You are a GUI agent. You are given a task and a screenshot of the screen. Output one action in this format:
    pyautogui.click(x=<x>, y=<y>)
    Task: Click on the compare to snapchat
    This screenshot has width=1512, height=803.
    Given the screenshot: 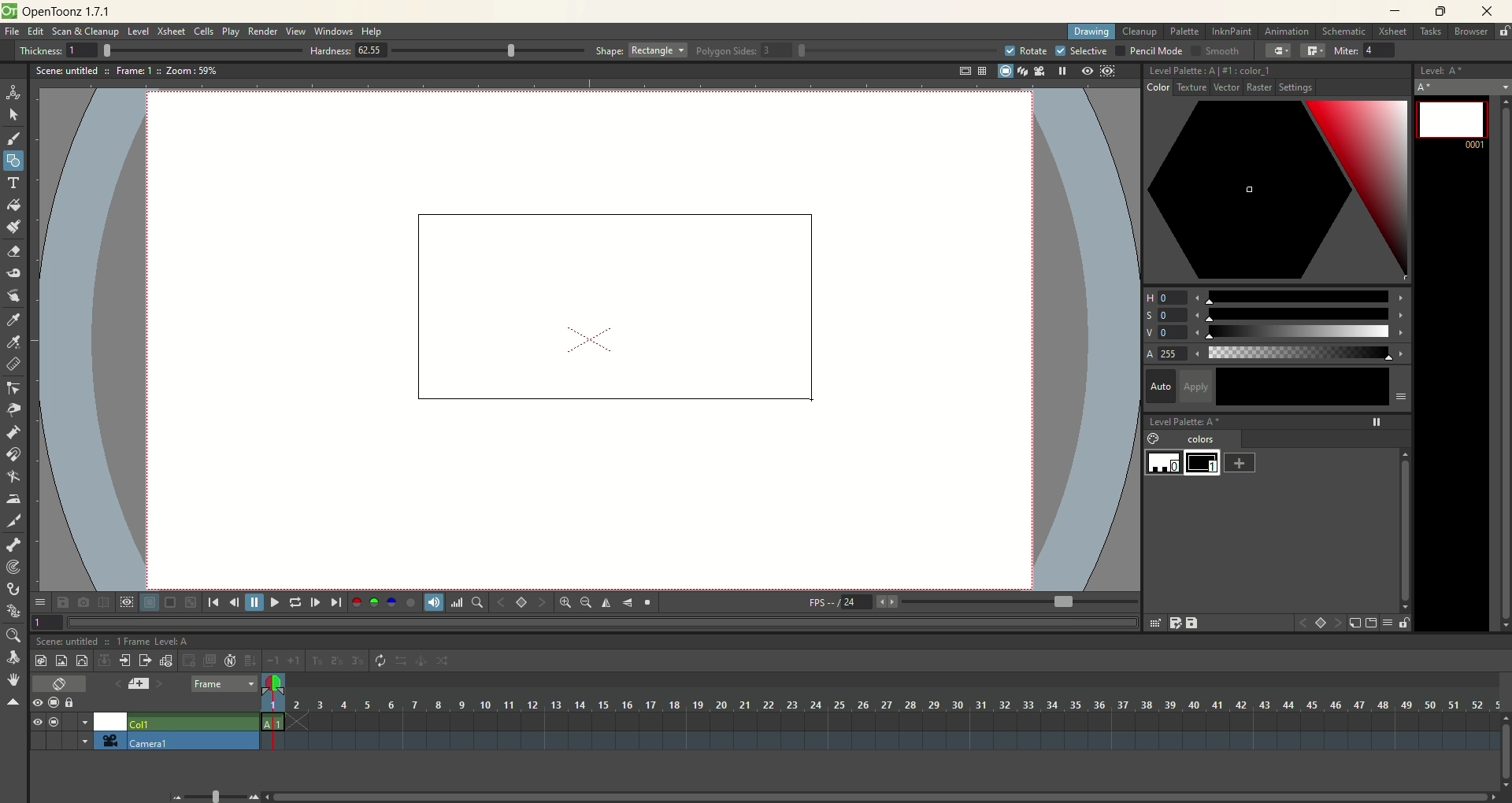 What is the action you would take?
    pyautogui.click(x=102, y=603)
    